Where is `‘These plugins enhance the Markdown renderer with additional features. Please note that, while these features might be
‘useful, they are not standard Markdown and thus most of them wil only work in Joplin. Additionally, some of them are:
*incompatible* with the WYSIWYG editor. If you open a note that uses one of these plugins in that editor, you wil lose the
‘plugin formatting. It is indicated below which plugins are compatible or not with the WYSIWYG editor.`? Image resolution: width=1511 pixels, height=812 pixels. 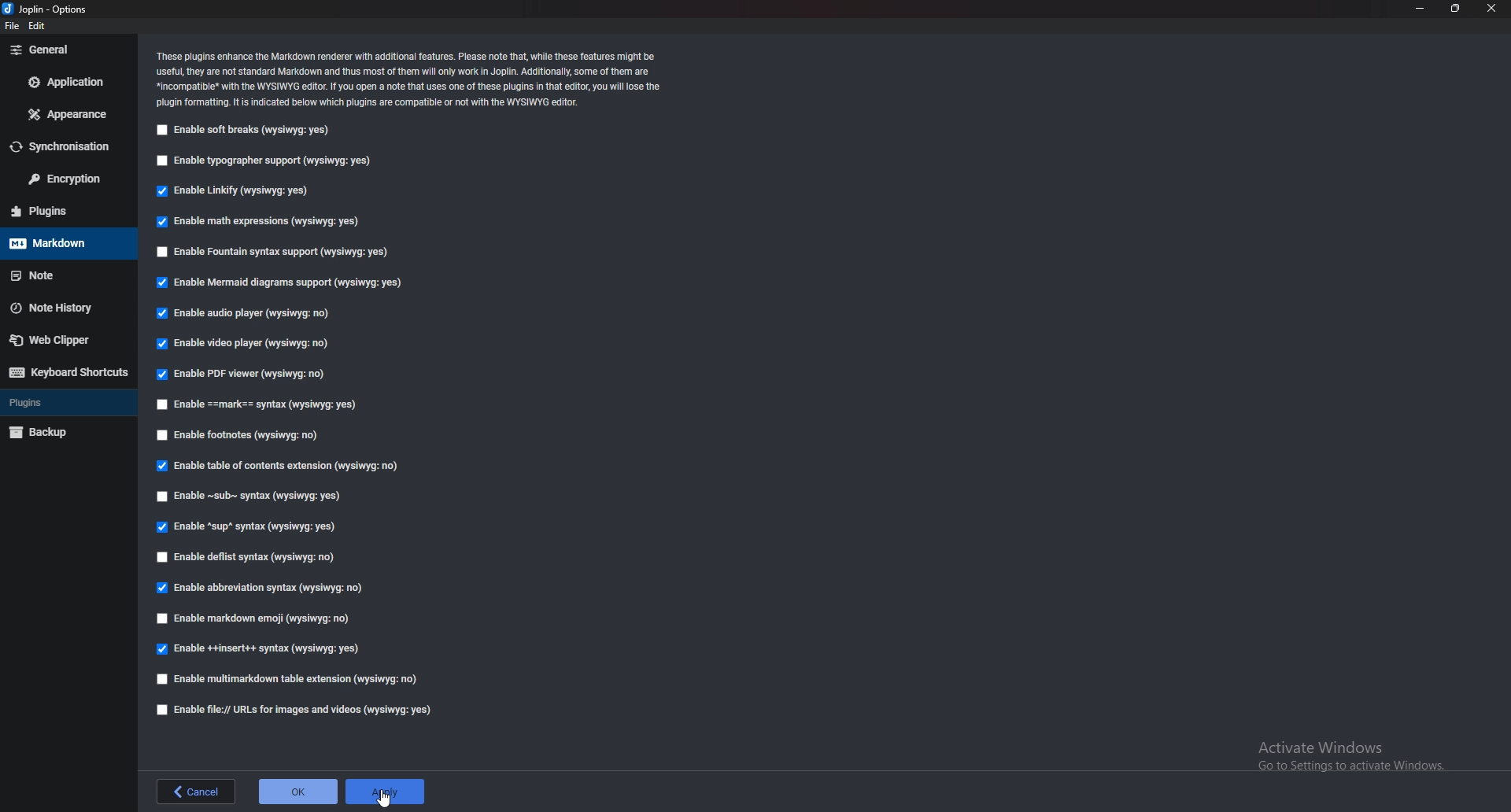
‘These plugins enhance the Markdown renderer with additional features. Please note that, while these features might be
‘useful, they are not standard Markdown and thus most of them wil only work in Joplin. Additionally, some of them are:
*incompatible* with the WYSIWYG editor. If you open a note that uses one of these plugins in that editor, you wil lose the
‘plugin formatting. It is indicated below which plugins are compatible or not with the WYSIWYG editor. is located at coordinates (410, 77).